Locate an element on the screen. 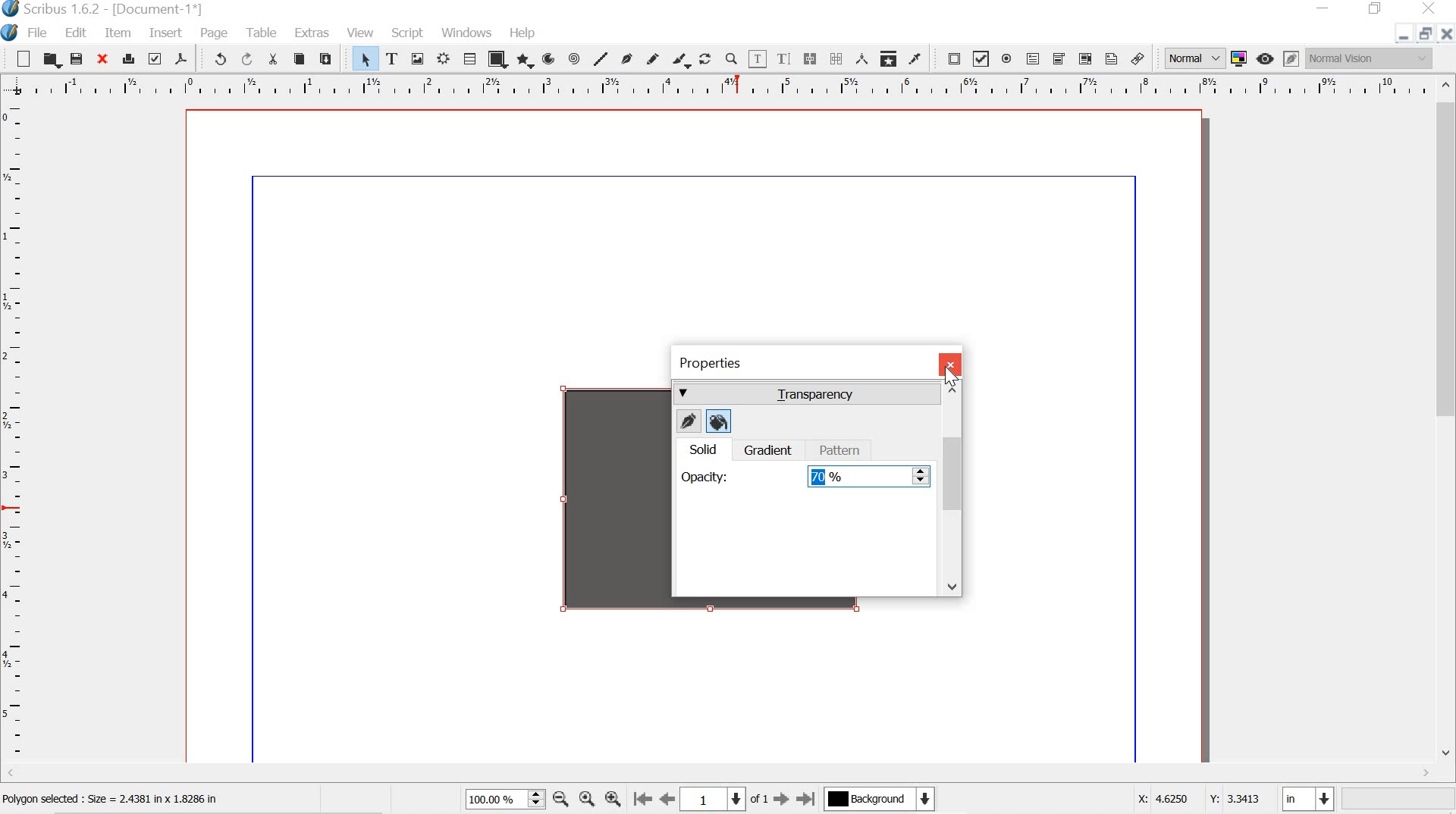 This screenshot has width=1456, height=814. close is located at coordinates (101, 58).